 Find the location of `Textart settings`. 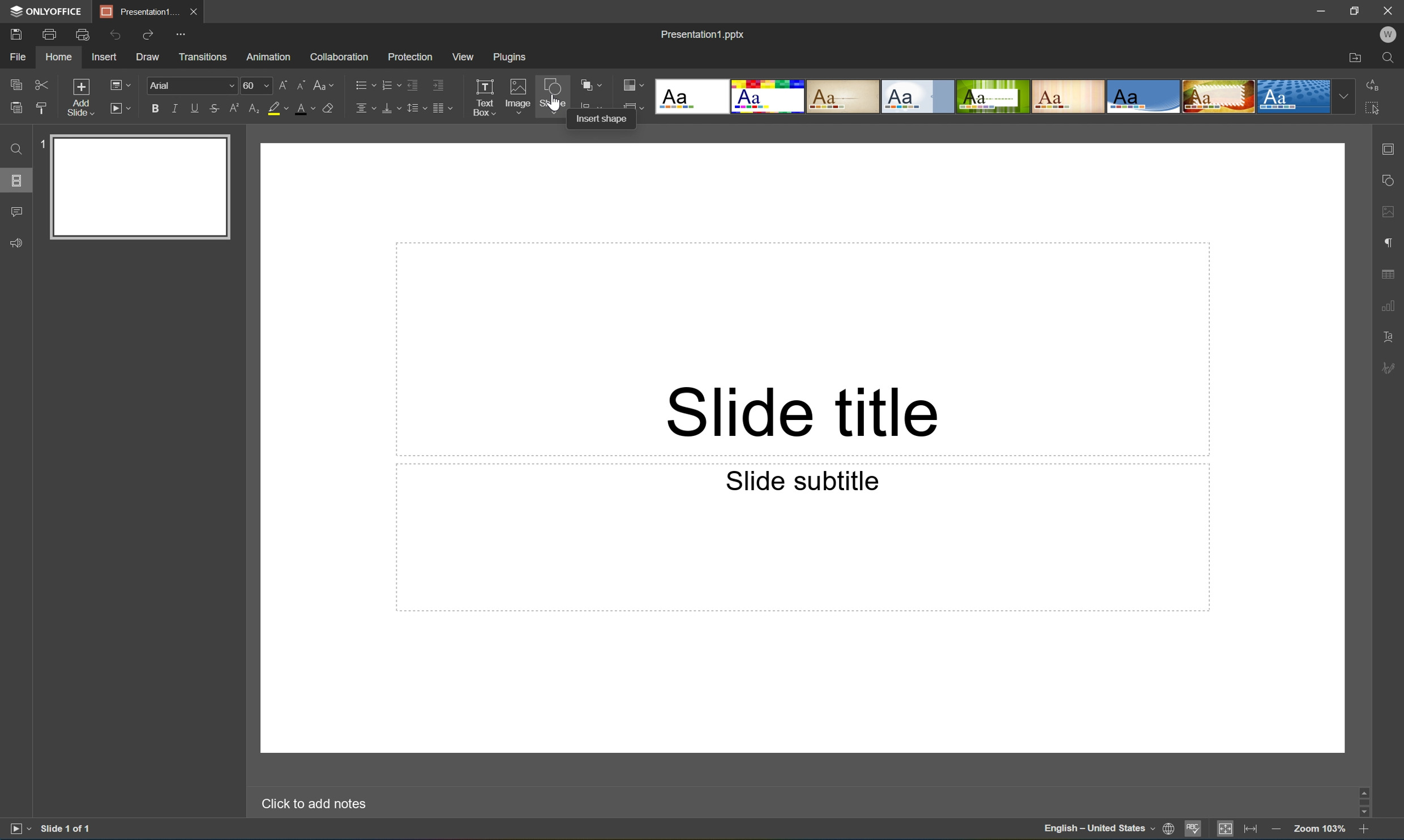

Textart settings is located at coordinates (1389, 338).